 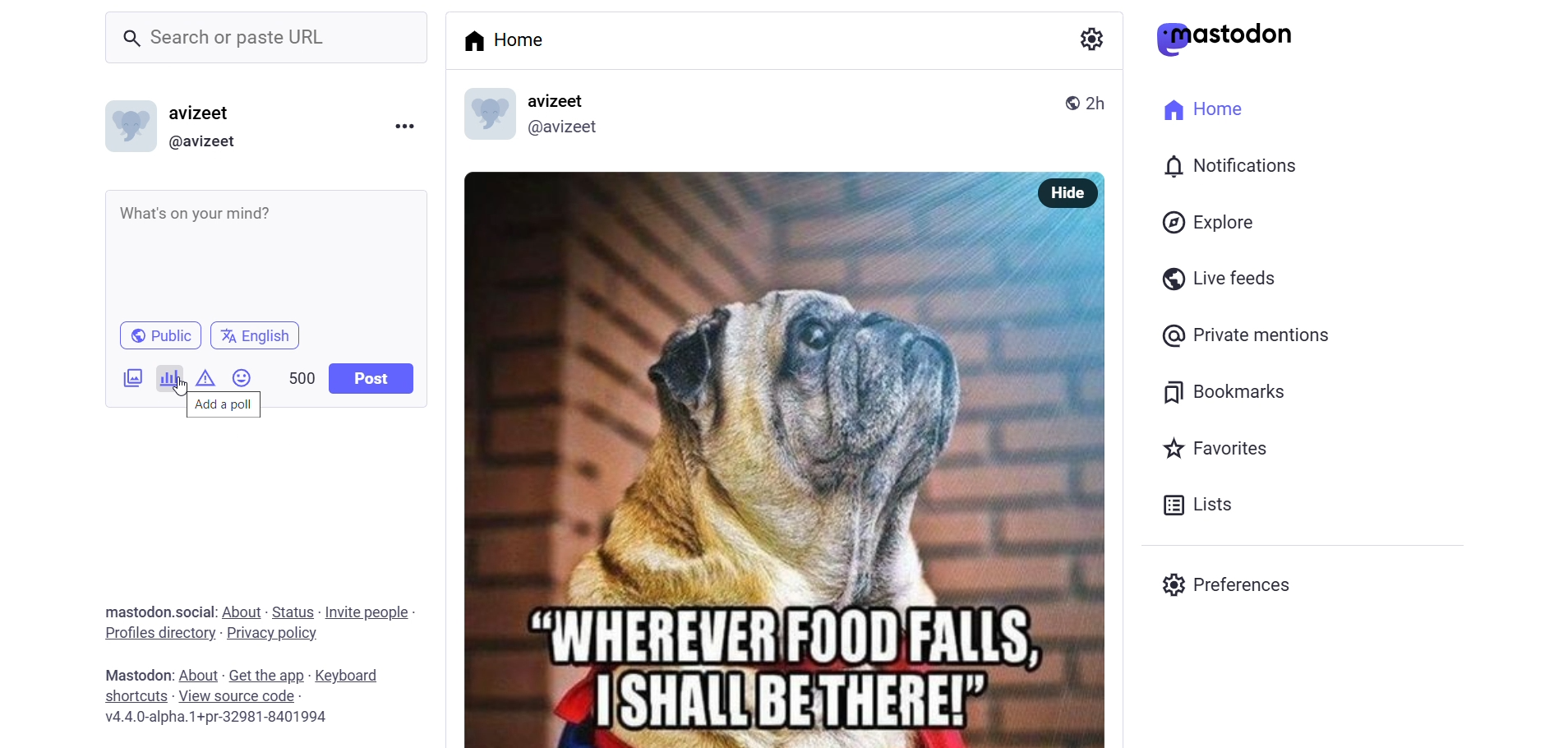 I want to click on cursor, so click(x=183, y=393).